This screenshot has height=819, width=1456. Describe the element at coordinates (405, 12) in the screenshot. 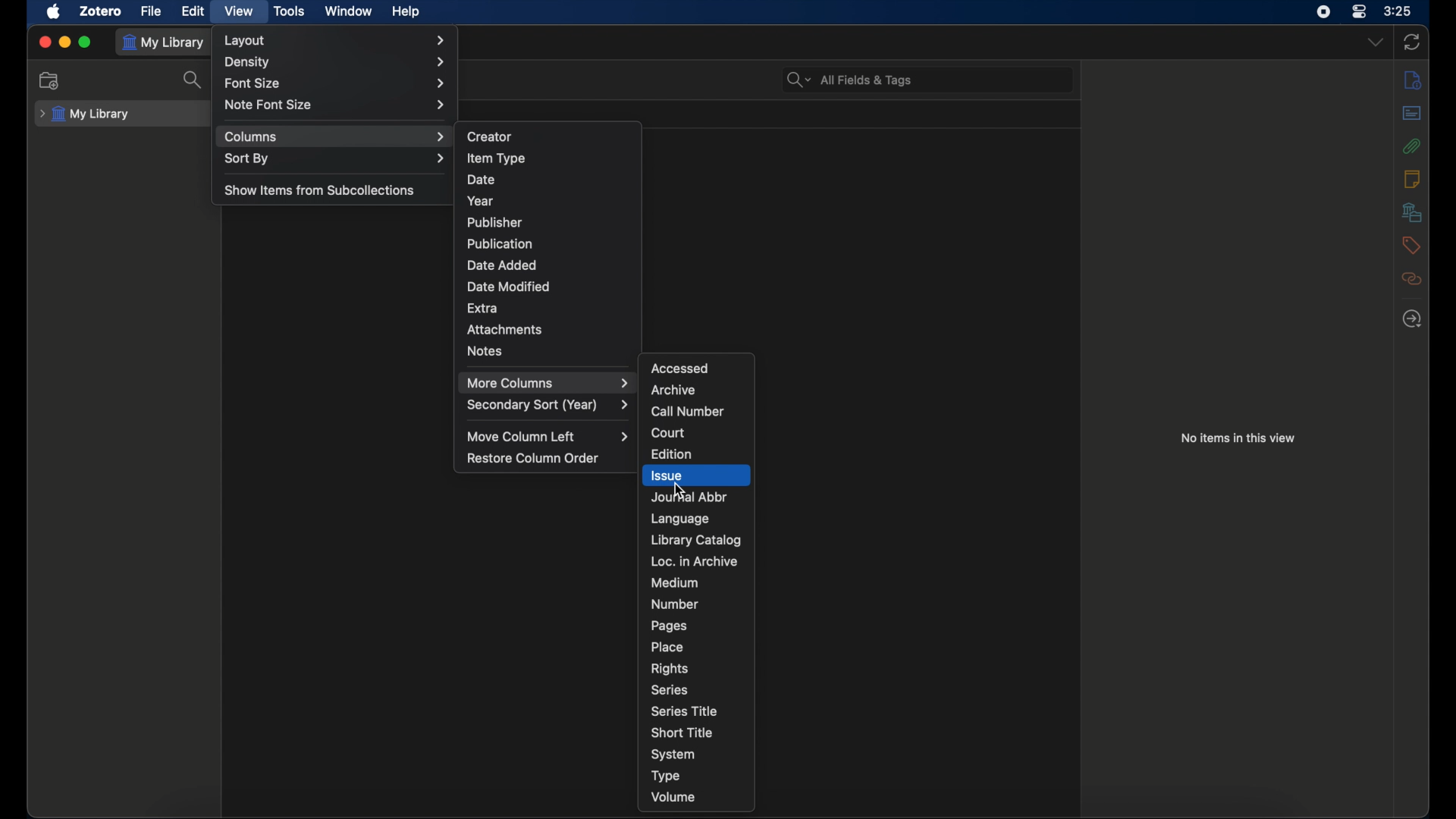

I see `help` at that location.